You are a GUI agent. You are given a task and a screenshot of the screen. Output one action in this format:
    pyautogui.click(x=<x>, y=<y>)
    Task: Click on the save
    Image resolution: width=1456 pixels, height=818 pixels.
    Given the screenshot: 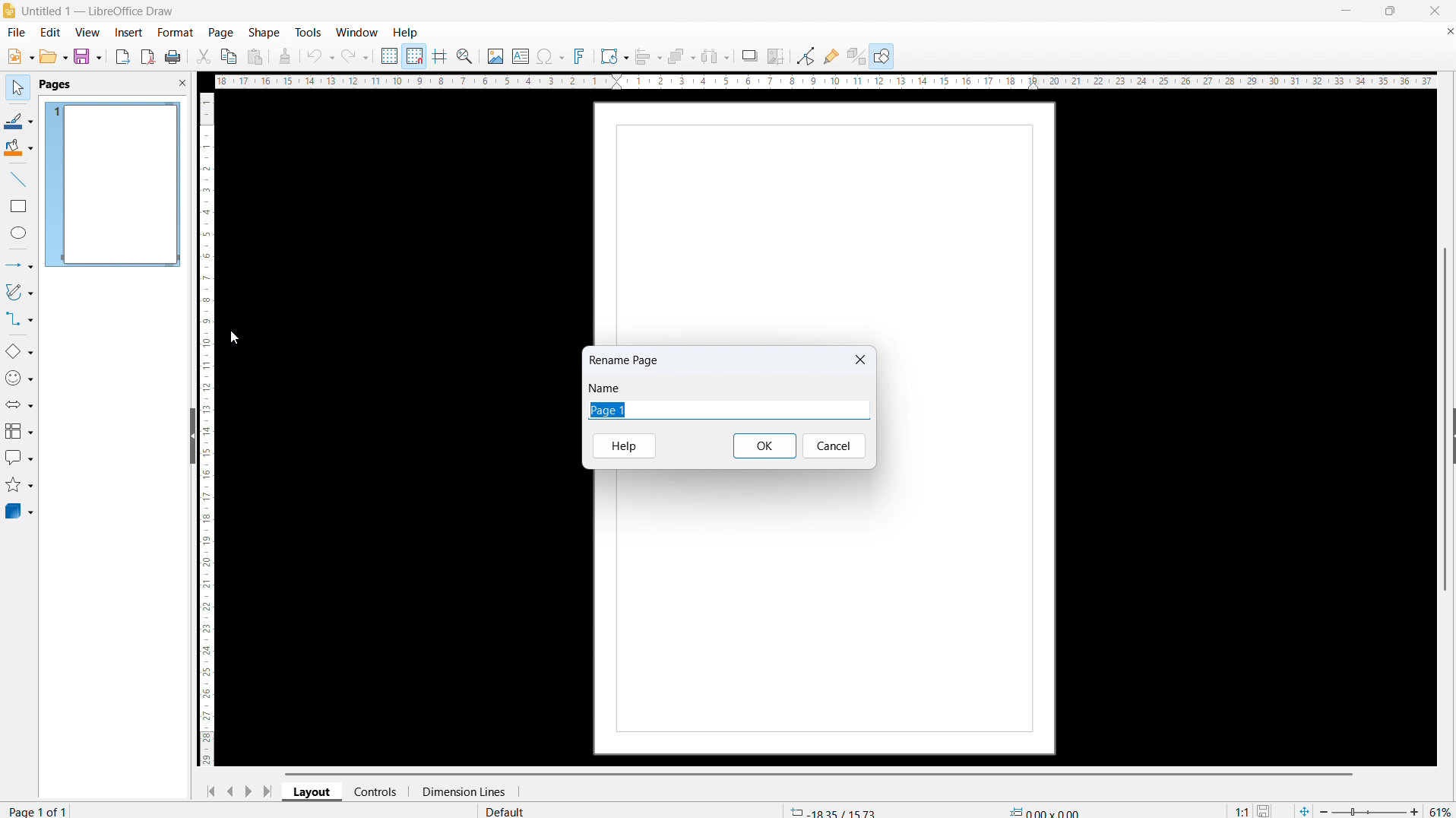 What is the action you would take?
    pyautogui.click(x=1266, y=809)
    